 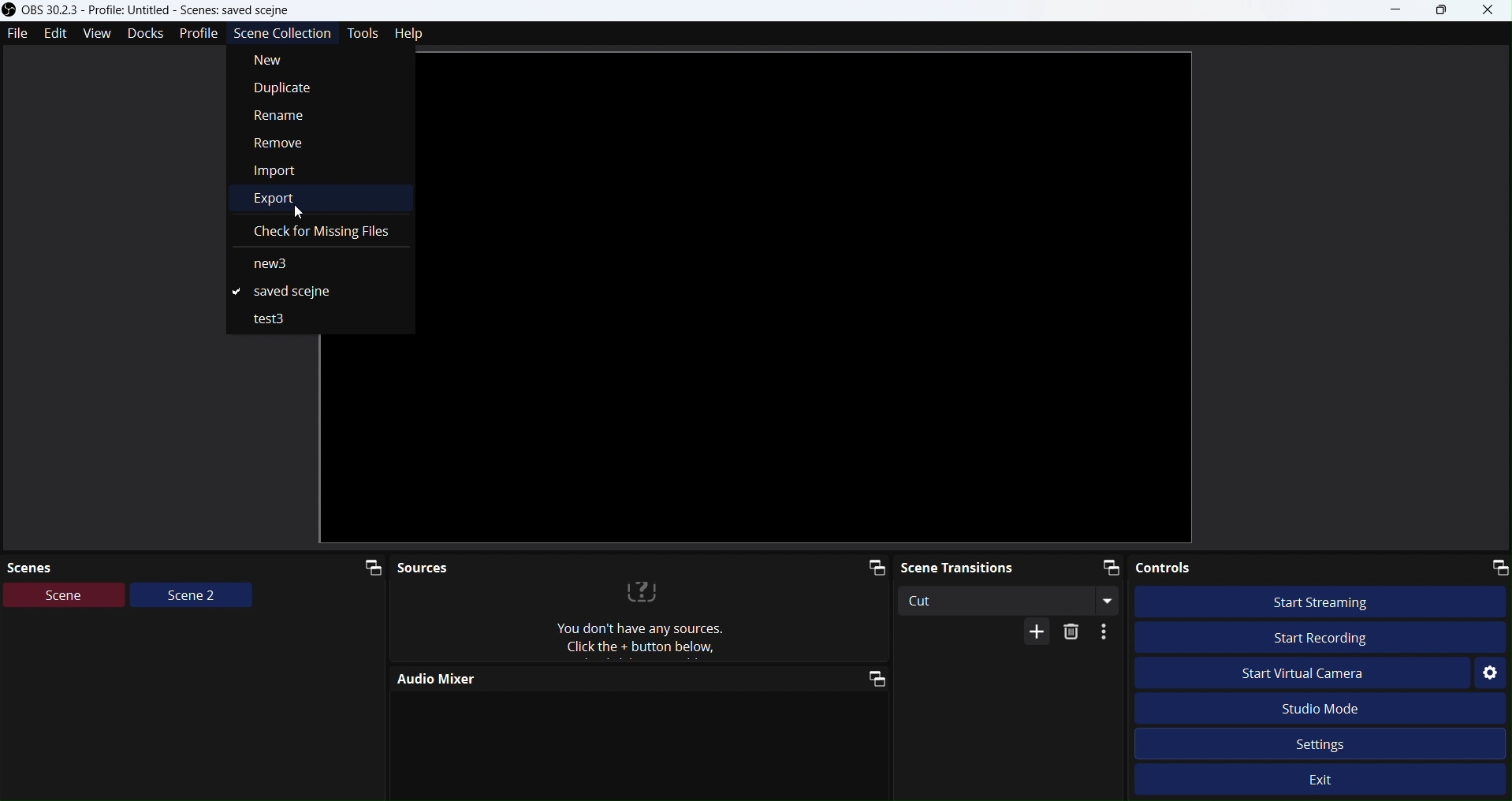 I want to click on Docks, so click(x=145, y=34).